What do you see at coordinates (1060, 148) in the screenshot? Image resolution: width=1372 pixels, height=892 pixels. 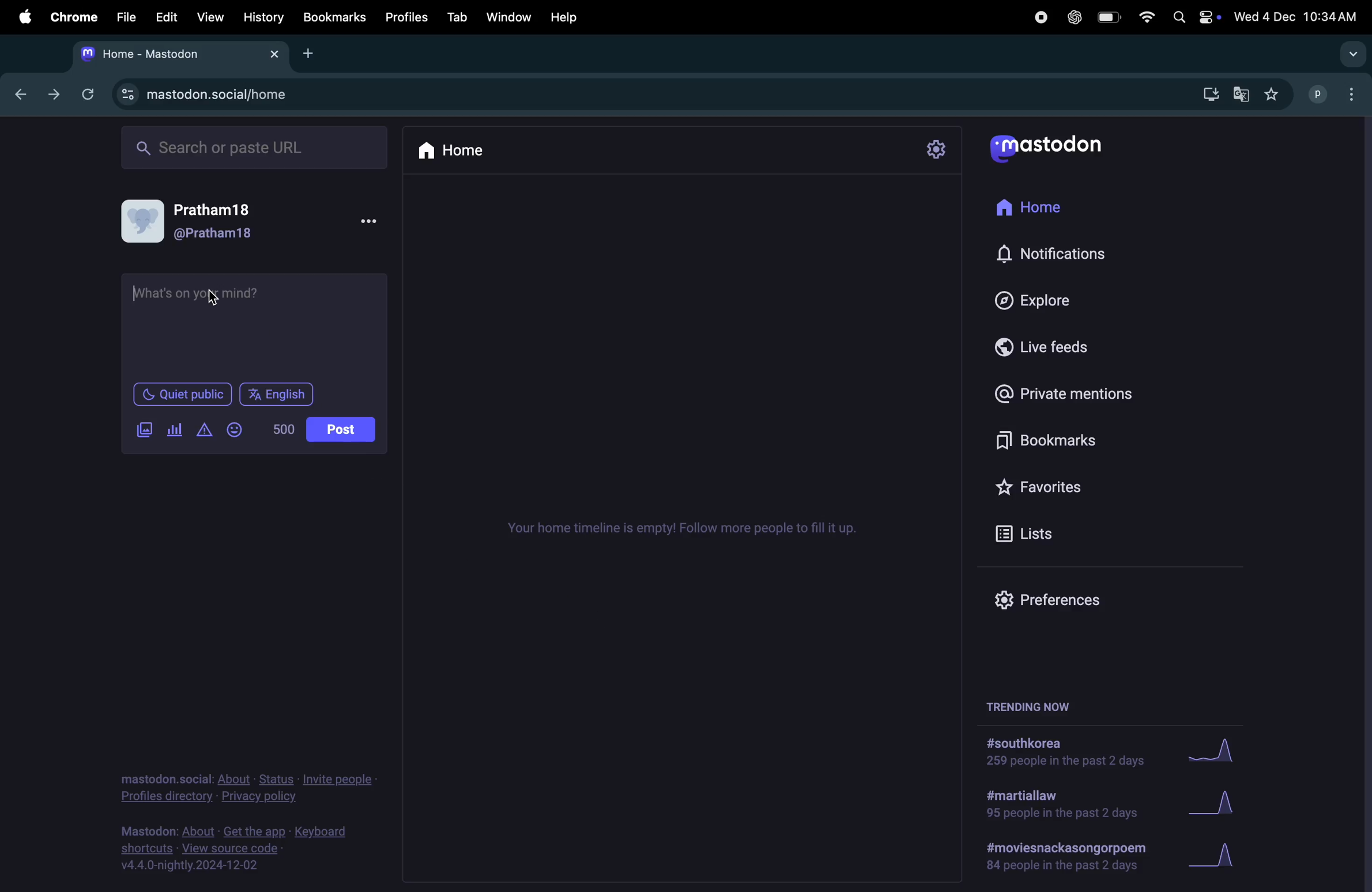 I see `Mastodon` at bounding box center [1060, 148].